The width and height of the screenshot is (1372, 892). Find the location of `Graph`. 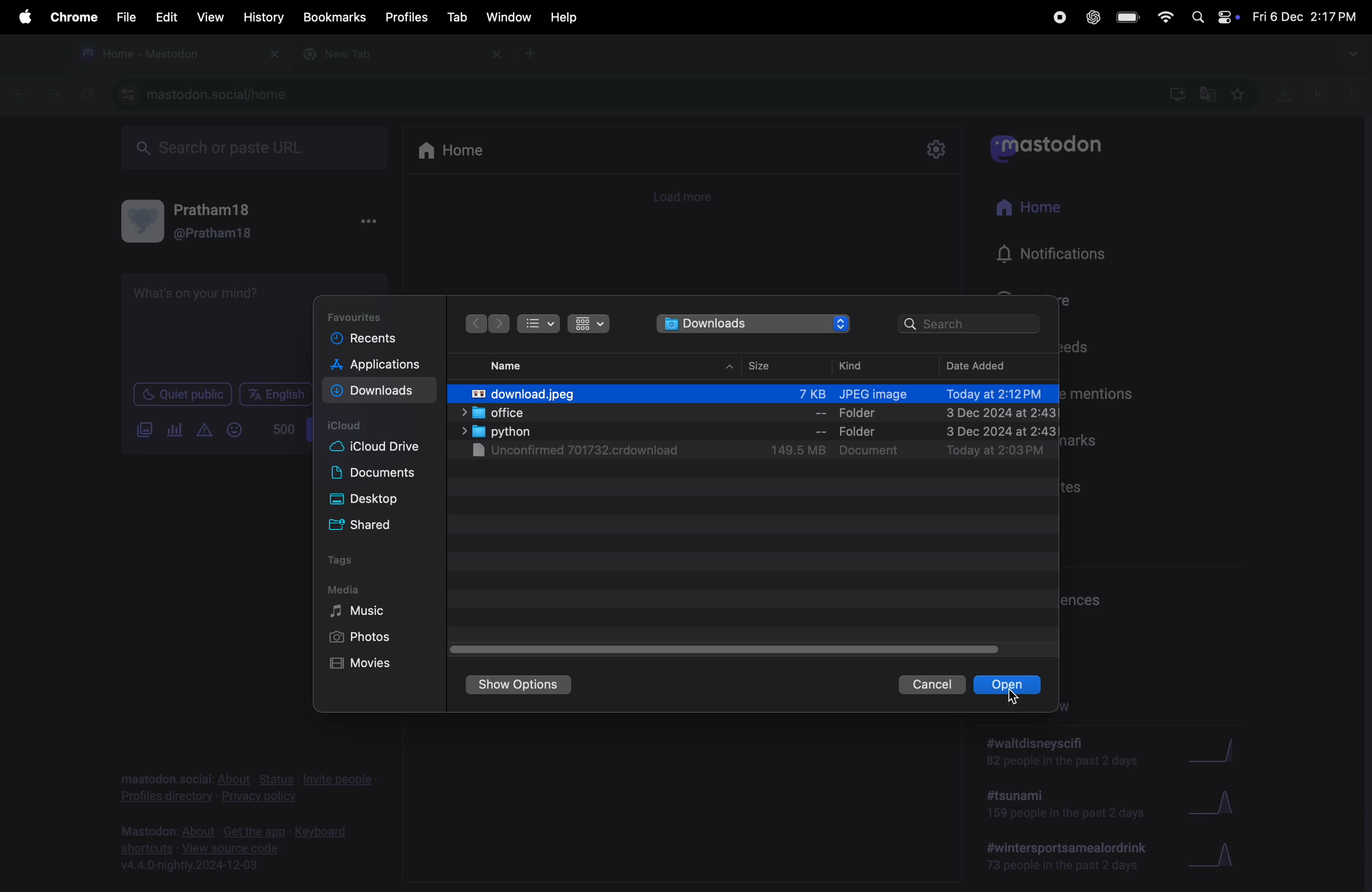

Graph is located at coordinates (1228, 749).